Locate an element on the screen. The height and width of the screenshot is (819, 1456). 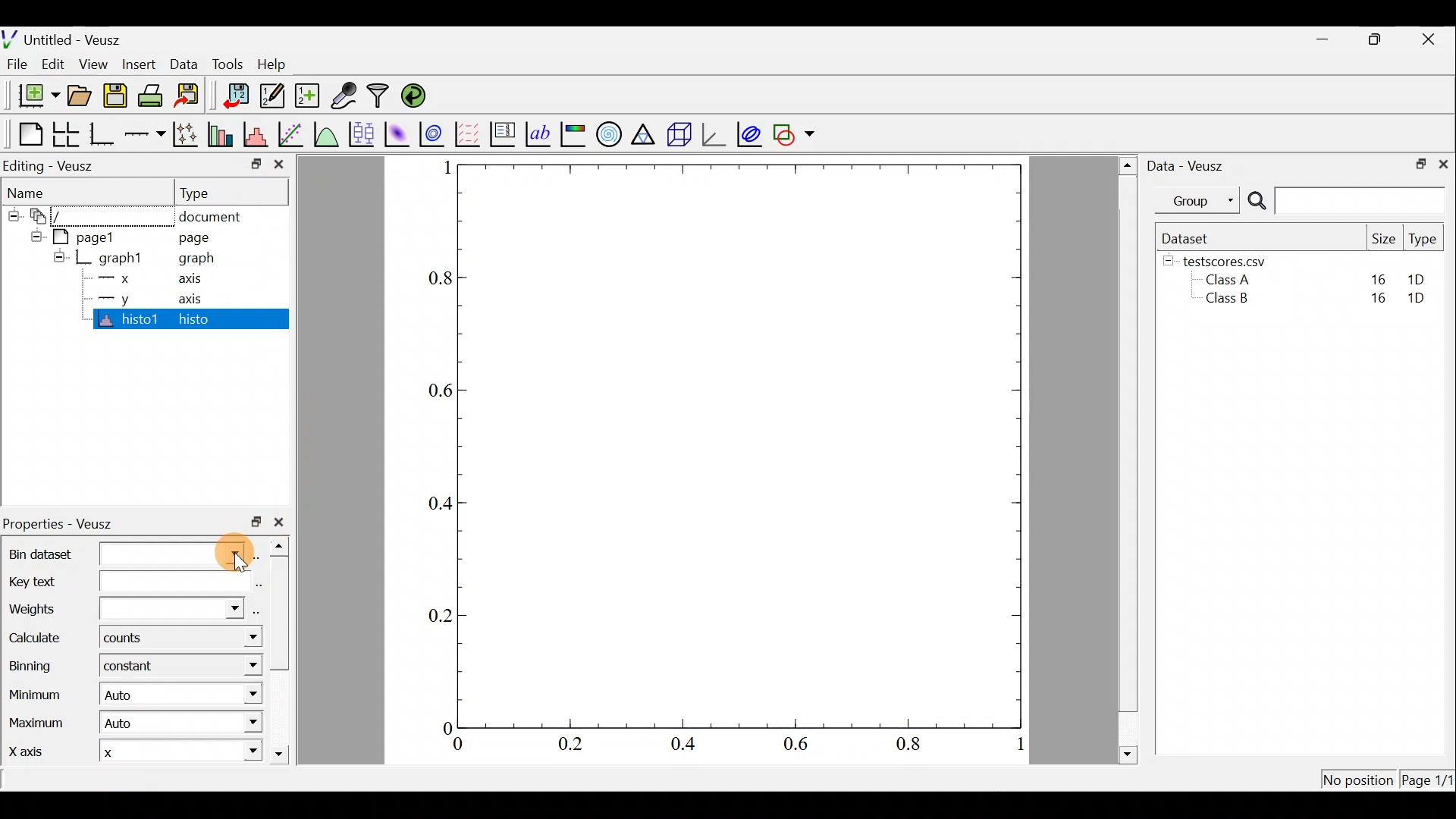
Open a document is located at coordinates (79, 94).